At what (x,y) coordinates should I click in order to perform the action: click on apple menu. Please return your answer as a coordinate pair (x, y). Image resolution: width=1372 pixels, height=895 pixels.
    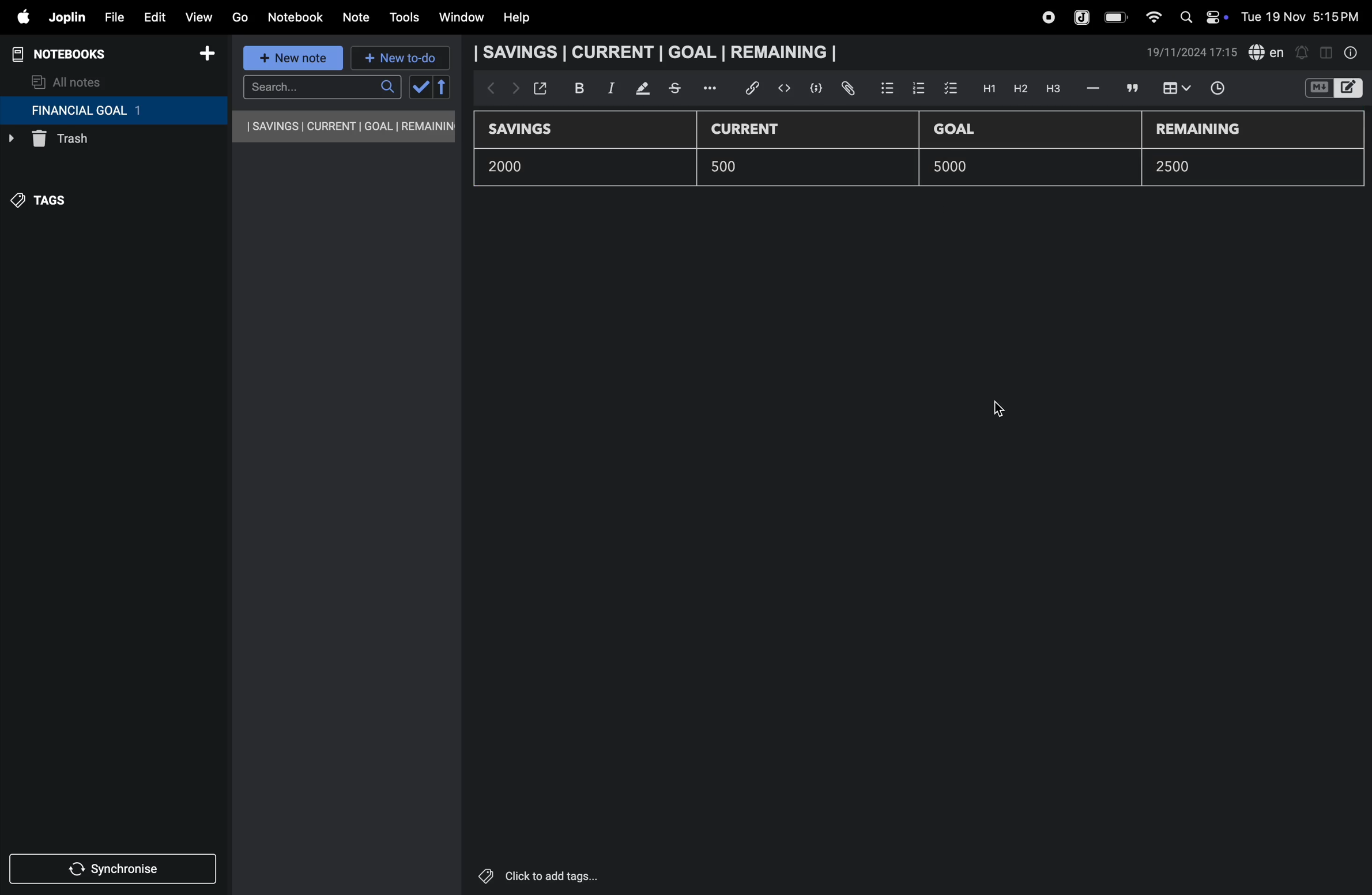
    Looking at the image, I should click on (17, 17).